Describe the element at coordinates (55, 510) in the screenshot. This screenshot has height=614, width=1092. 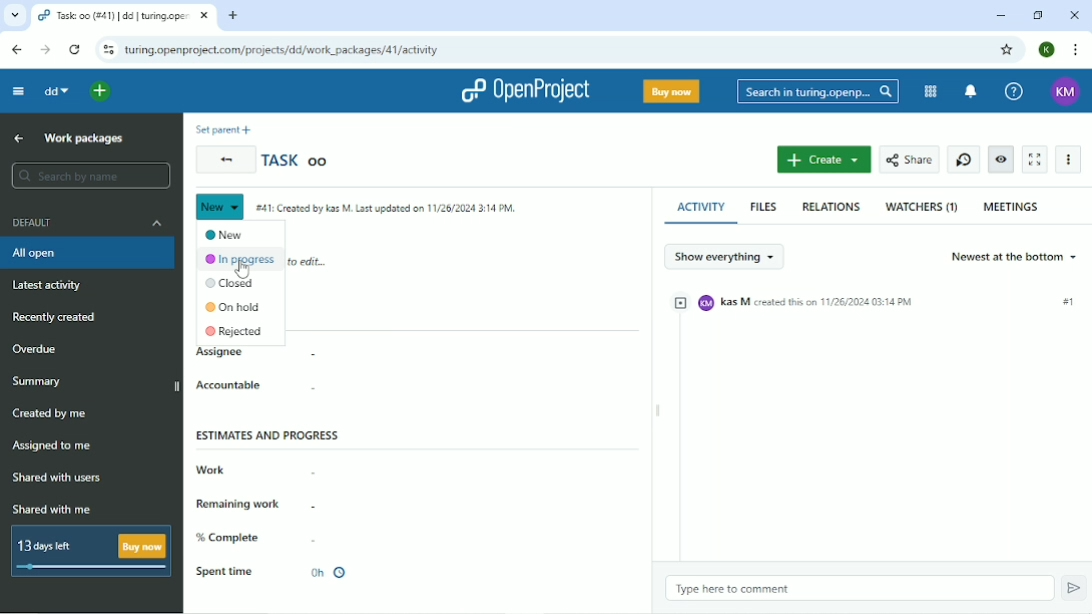
I see `Shared with me` at that location.